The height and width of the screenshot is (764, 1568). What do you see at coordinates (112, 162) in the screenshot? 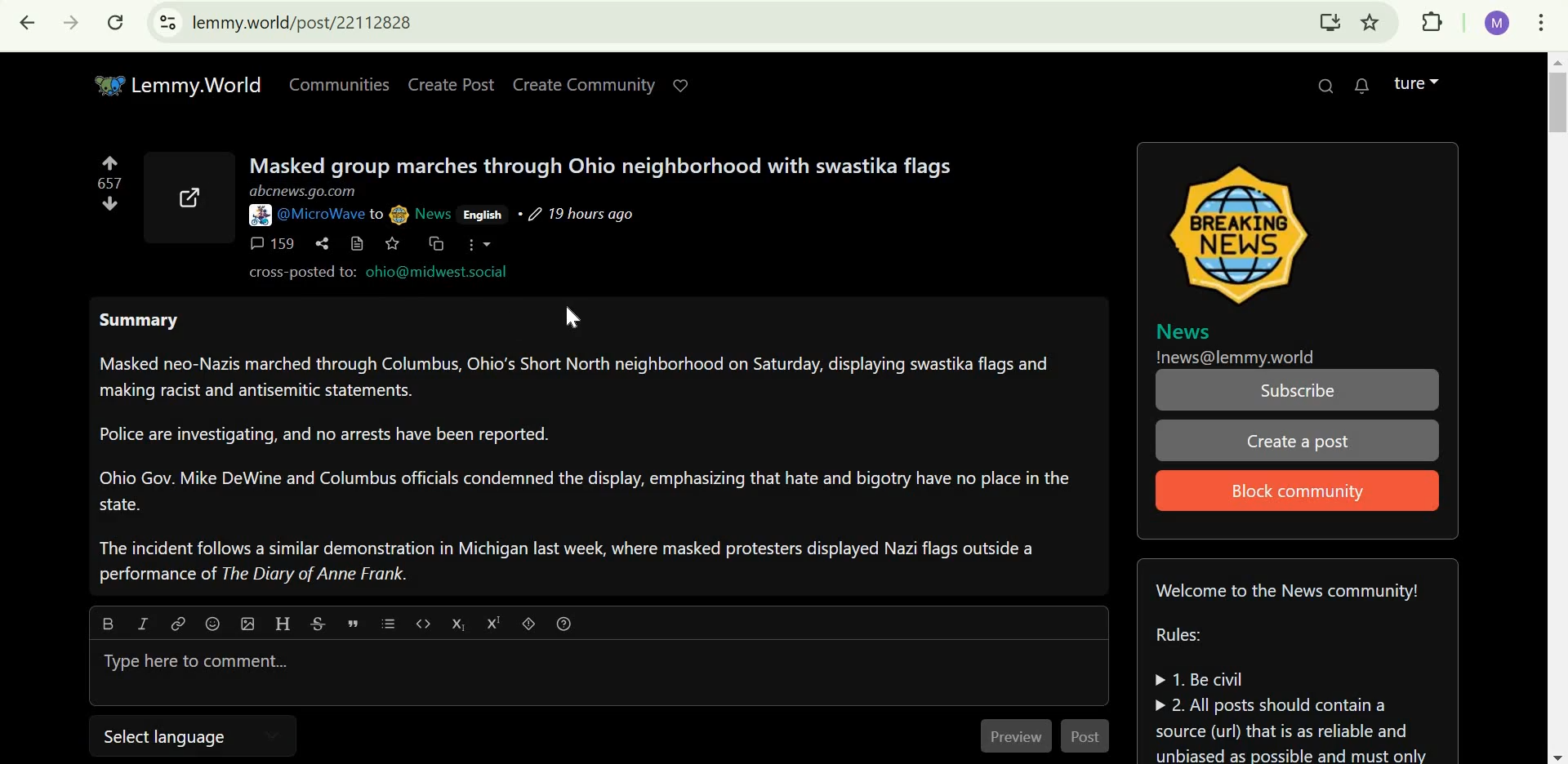
I see `upvote` at bounding box center [112, 162].